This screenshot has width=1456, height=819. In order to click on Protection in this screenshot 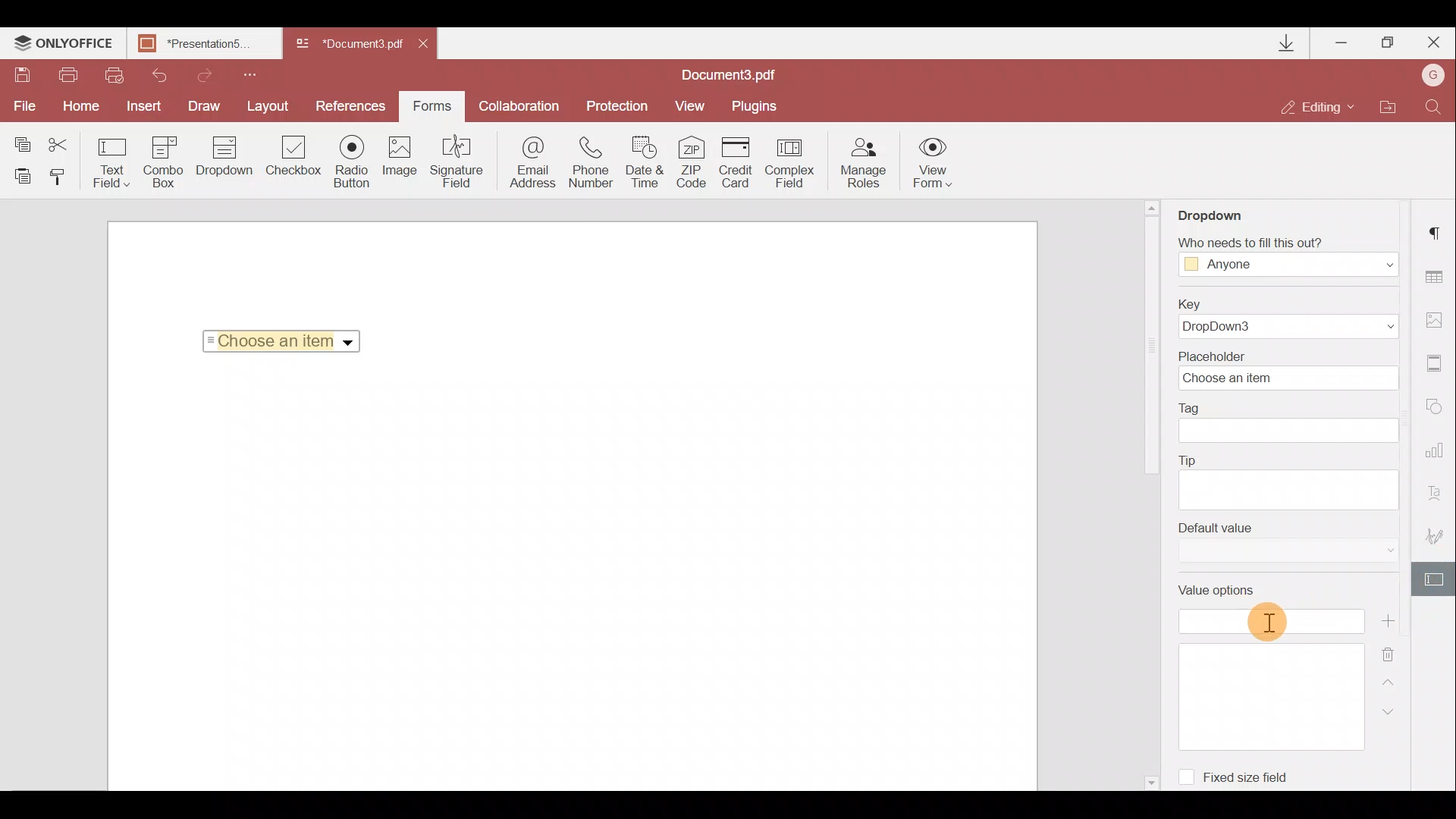, I will do `click(613, 108)`.